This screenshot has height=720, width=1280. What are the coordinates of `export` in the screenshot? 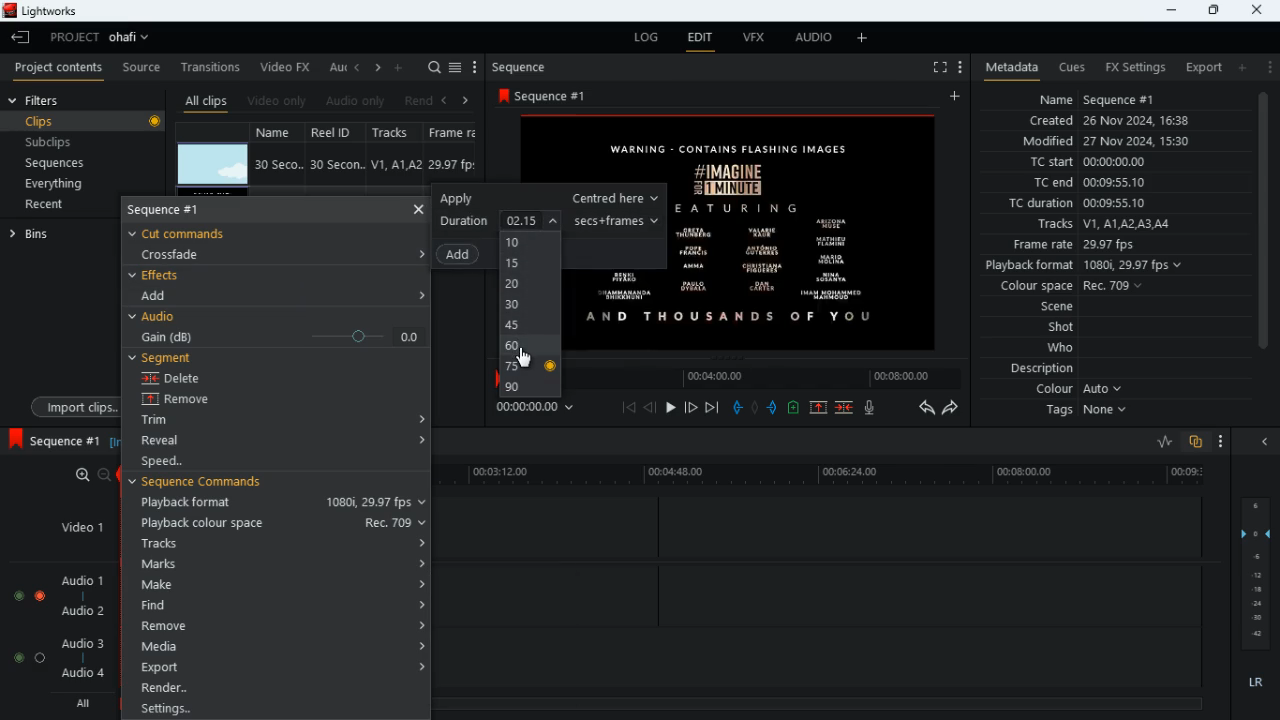 It's located at (281, 667).